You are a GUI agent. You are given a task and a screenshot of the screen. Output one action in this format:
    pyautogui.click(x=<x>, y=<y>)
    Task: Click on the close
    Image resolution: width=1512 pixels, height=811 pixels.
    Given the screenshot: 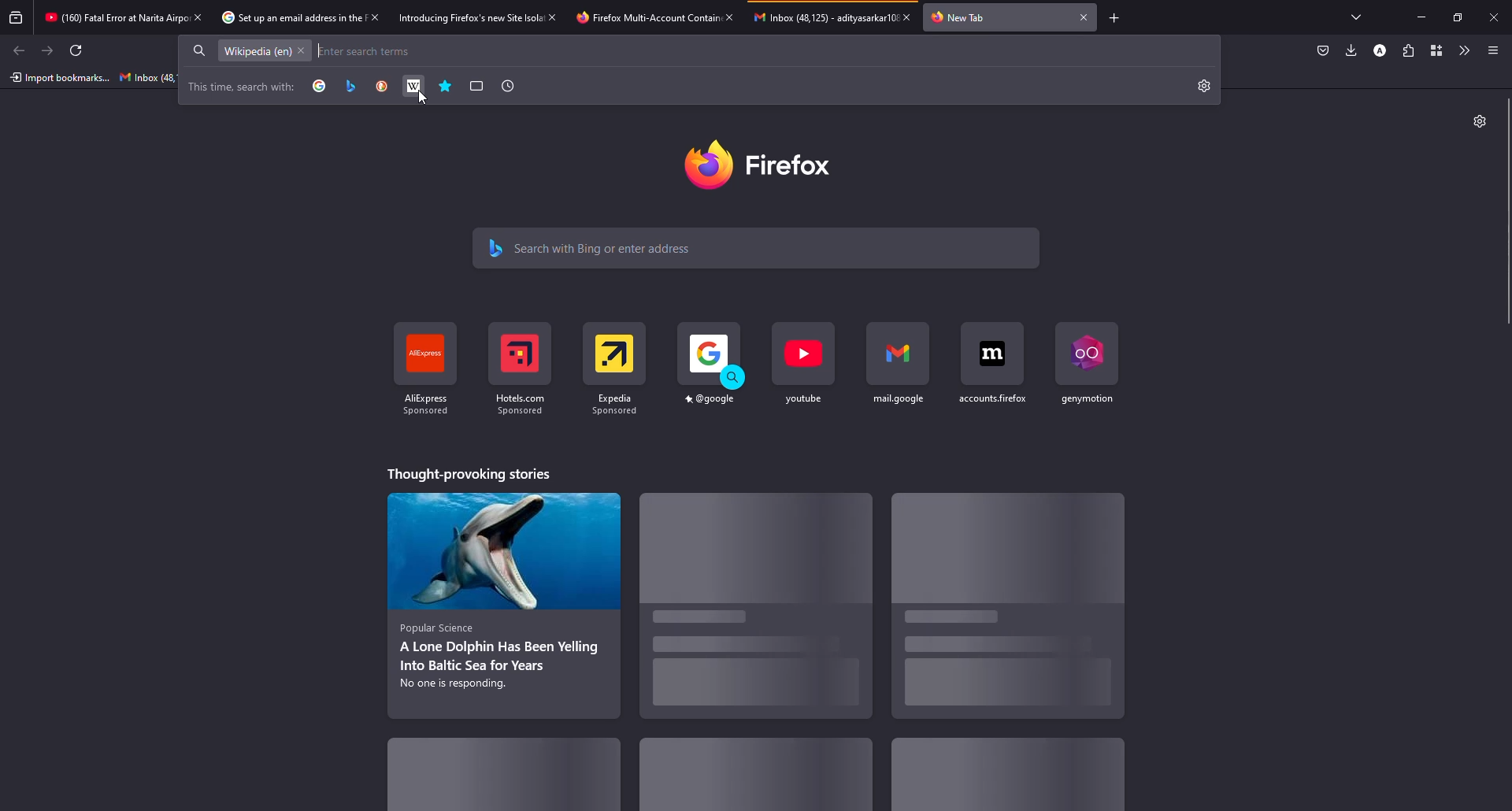 What is the action you would take?
    pyautogui.click(x=1494, y=17)
    